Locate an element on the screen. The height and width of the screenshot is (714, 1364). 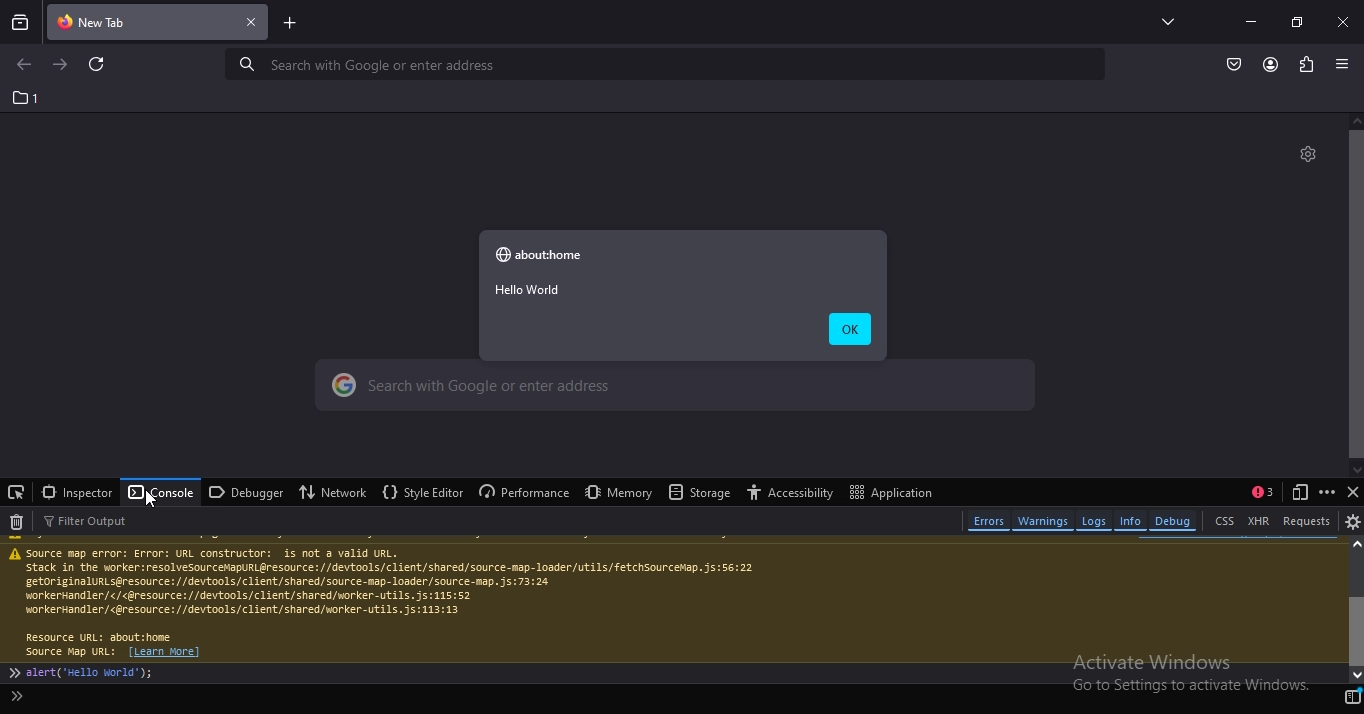
network is located at coordinates (329, 493).